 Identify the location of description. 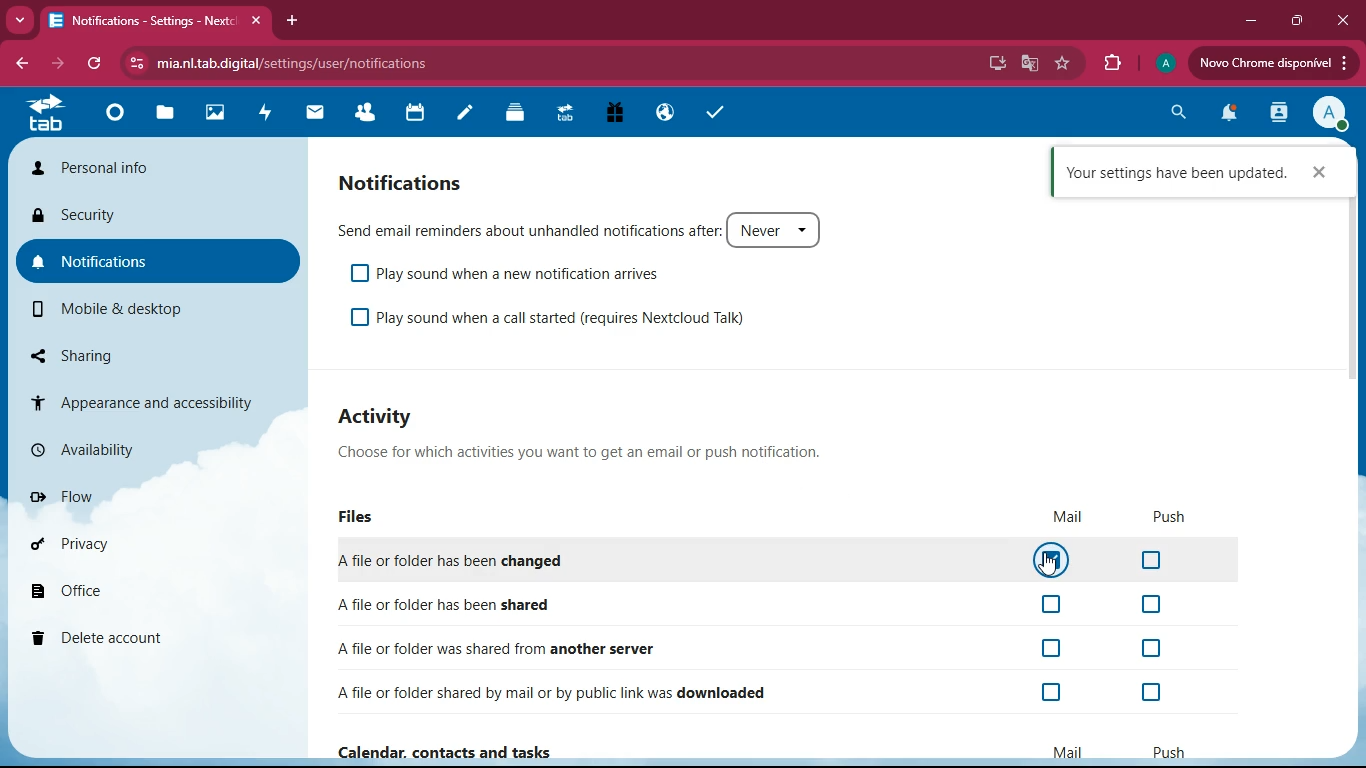
(587, 451).